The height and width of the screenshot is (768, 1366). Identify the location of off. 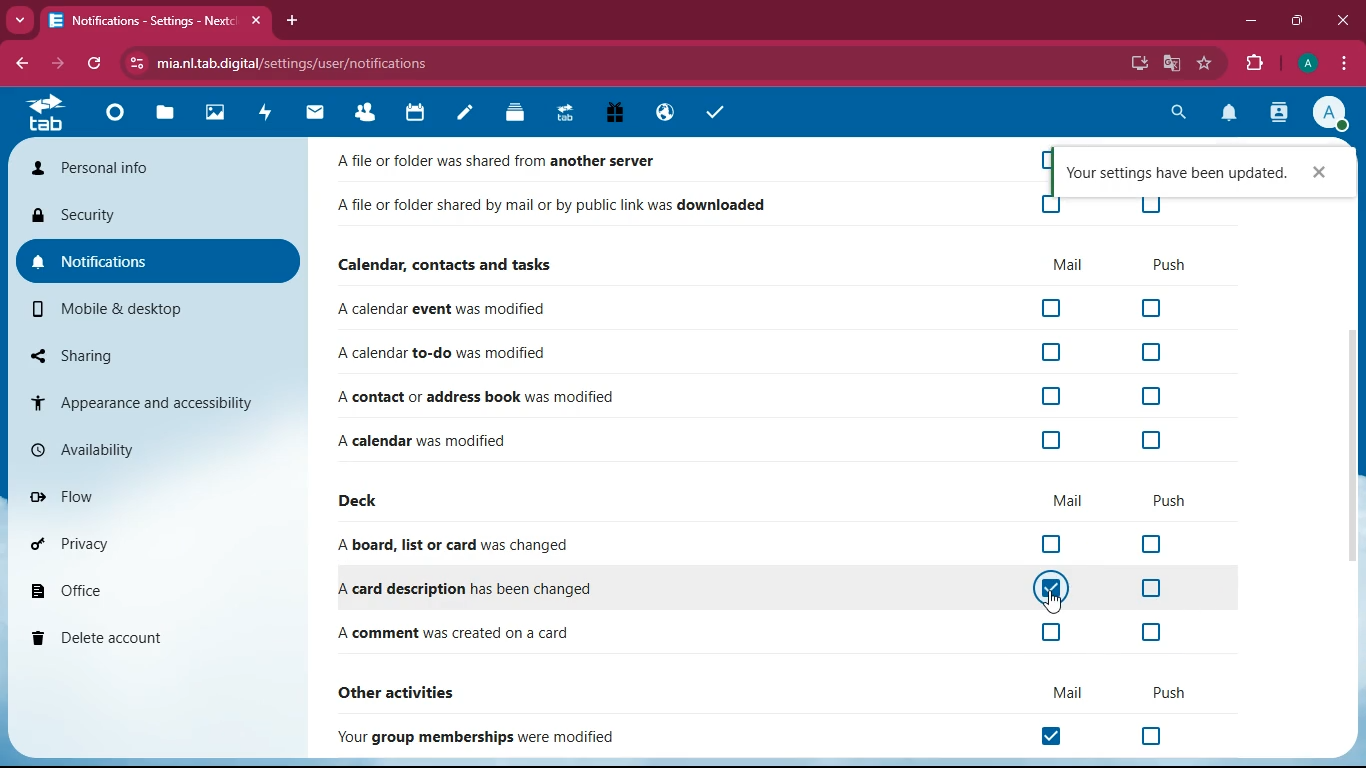
(1148, 354).